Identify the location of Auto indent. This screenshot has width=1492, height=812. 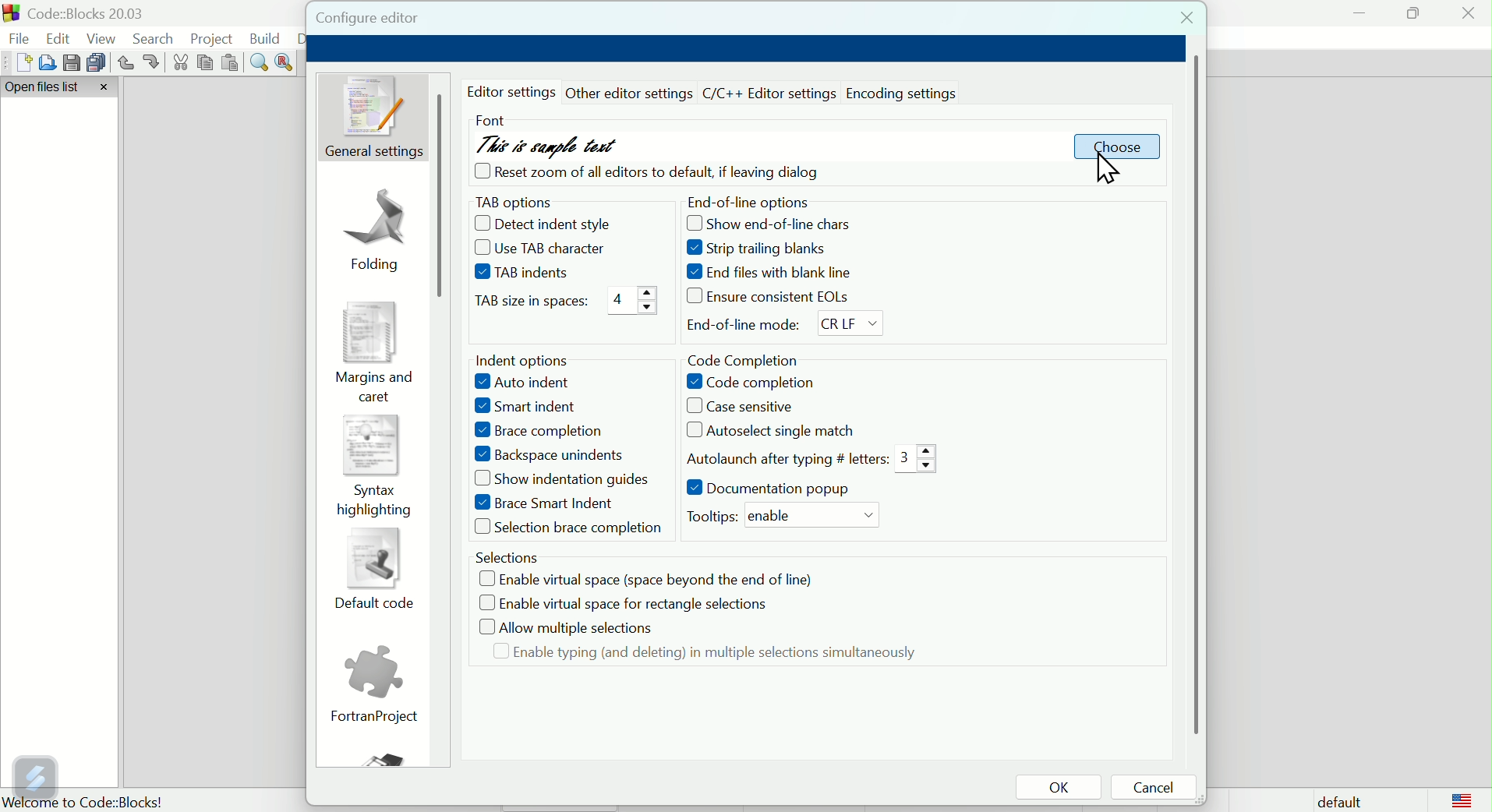
(525, 382).